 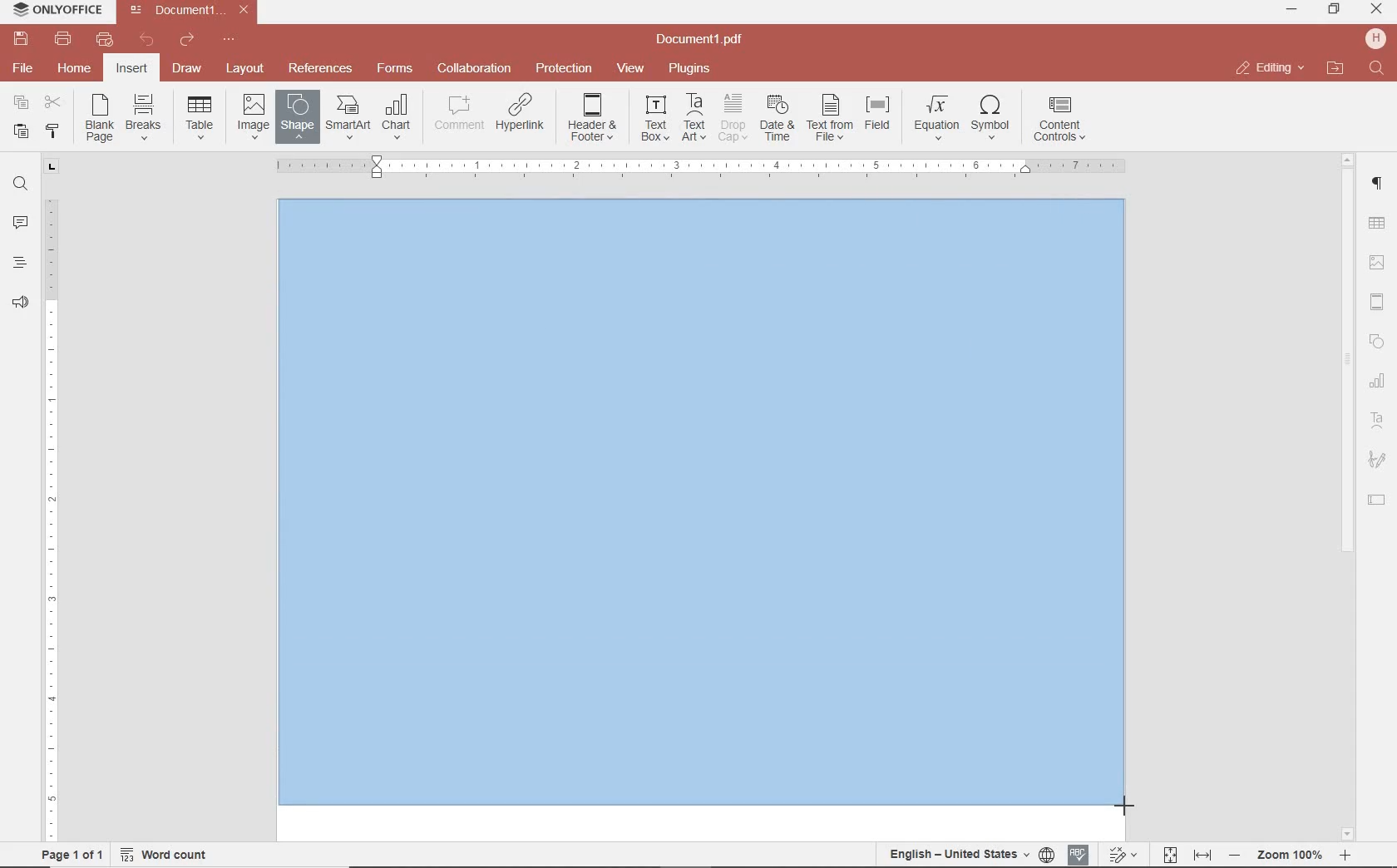 What do you see at coordinates (131, 70) in the screenshot?
I see `insert` at bounding box center [131, 70].